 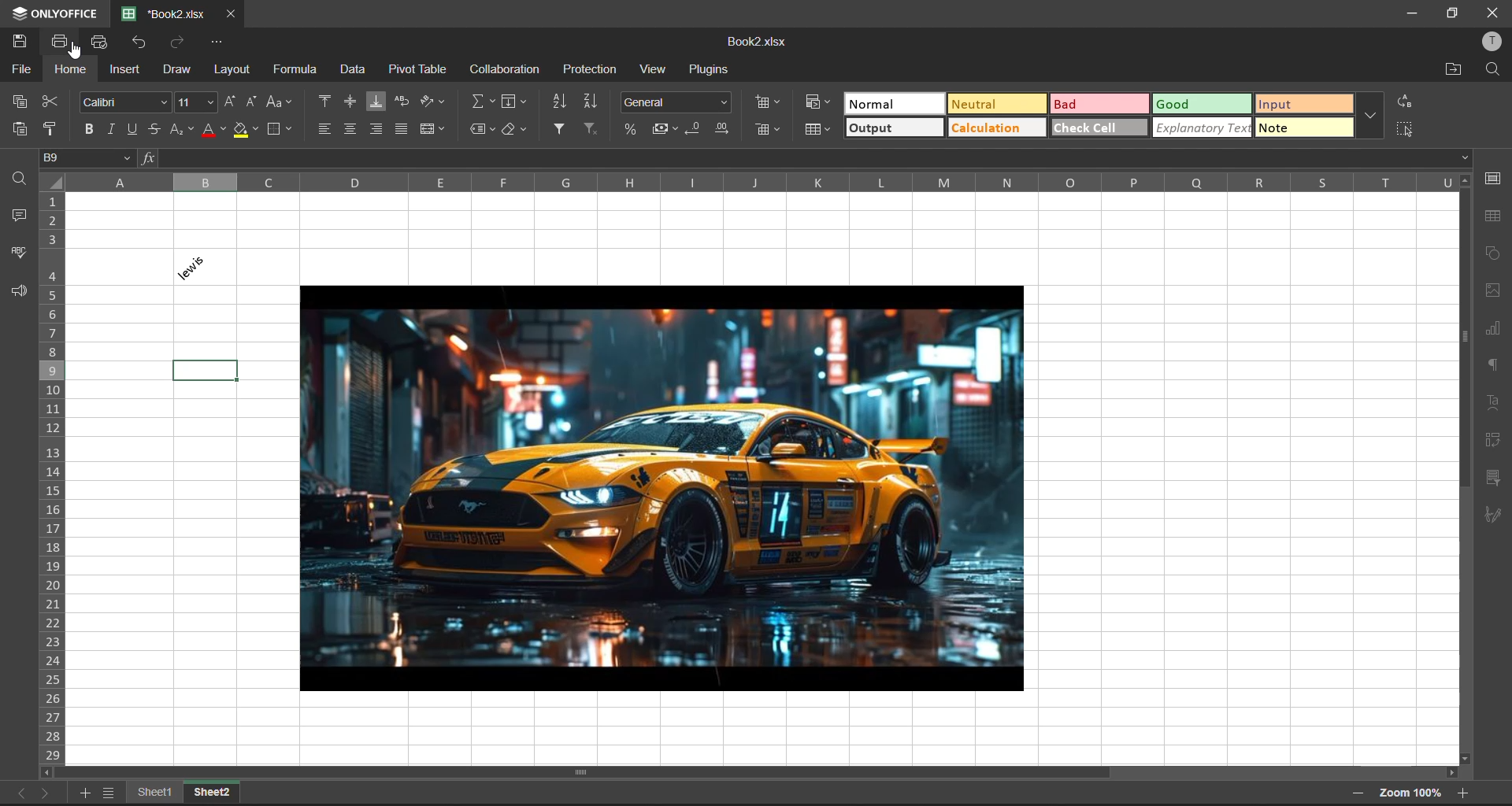 What do you see at coordinates (187, 792) in the screenshot?
I see `sheet names` at bounding box center [187, 792].